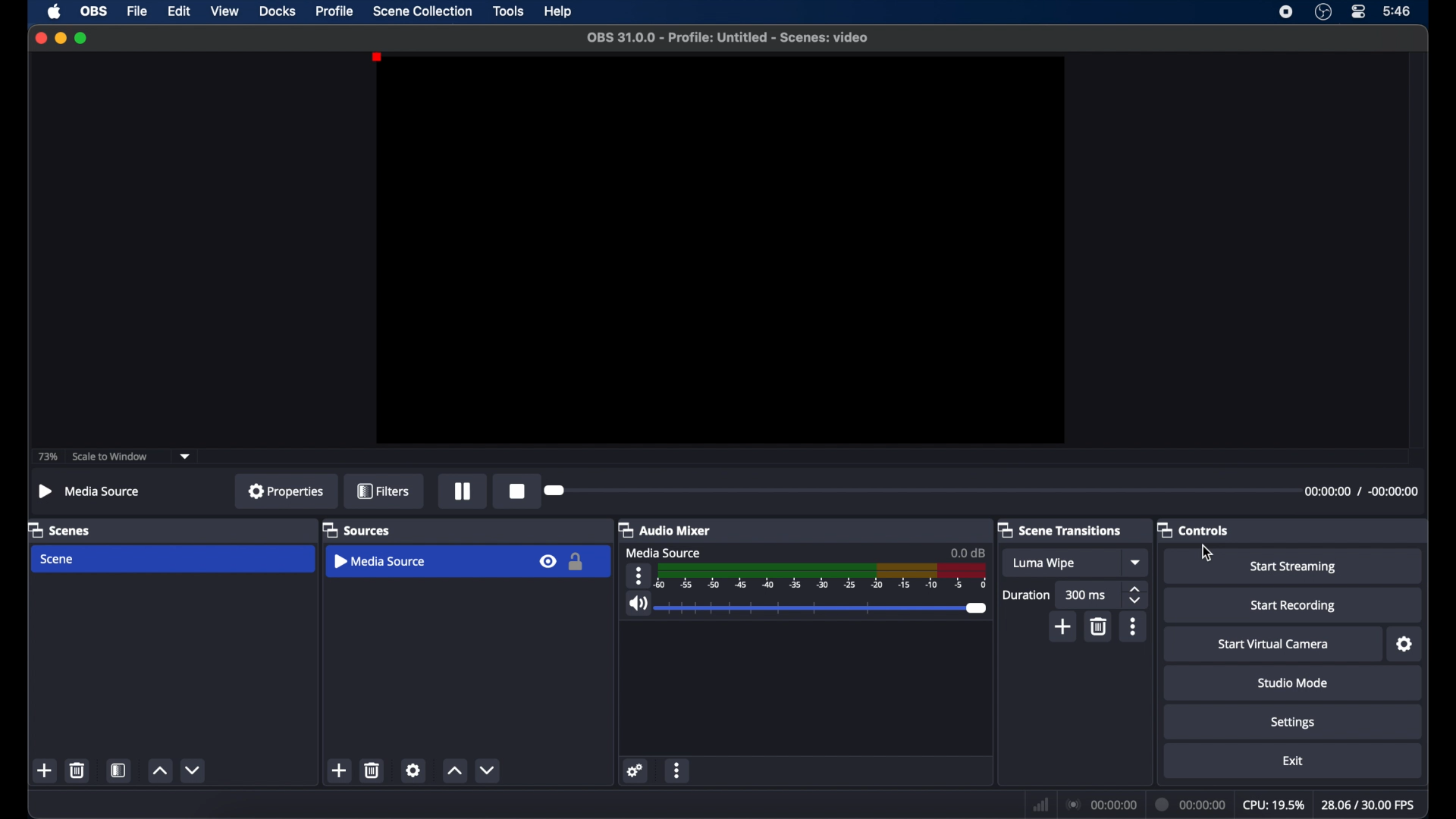  Describe the element at coordinates (1134, 595) in the screenshot. I see `stepper buttons` at that location.